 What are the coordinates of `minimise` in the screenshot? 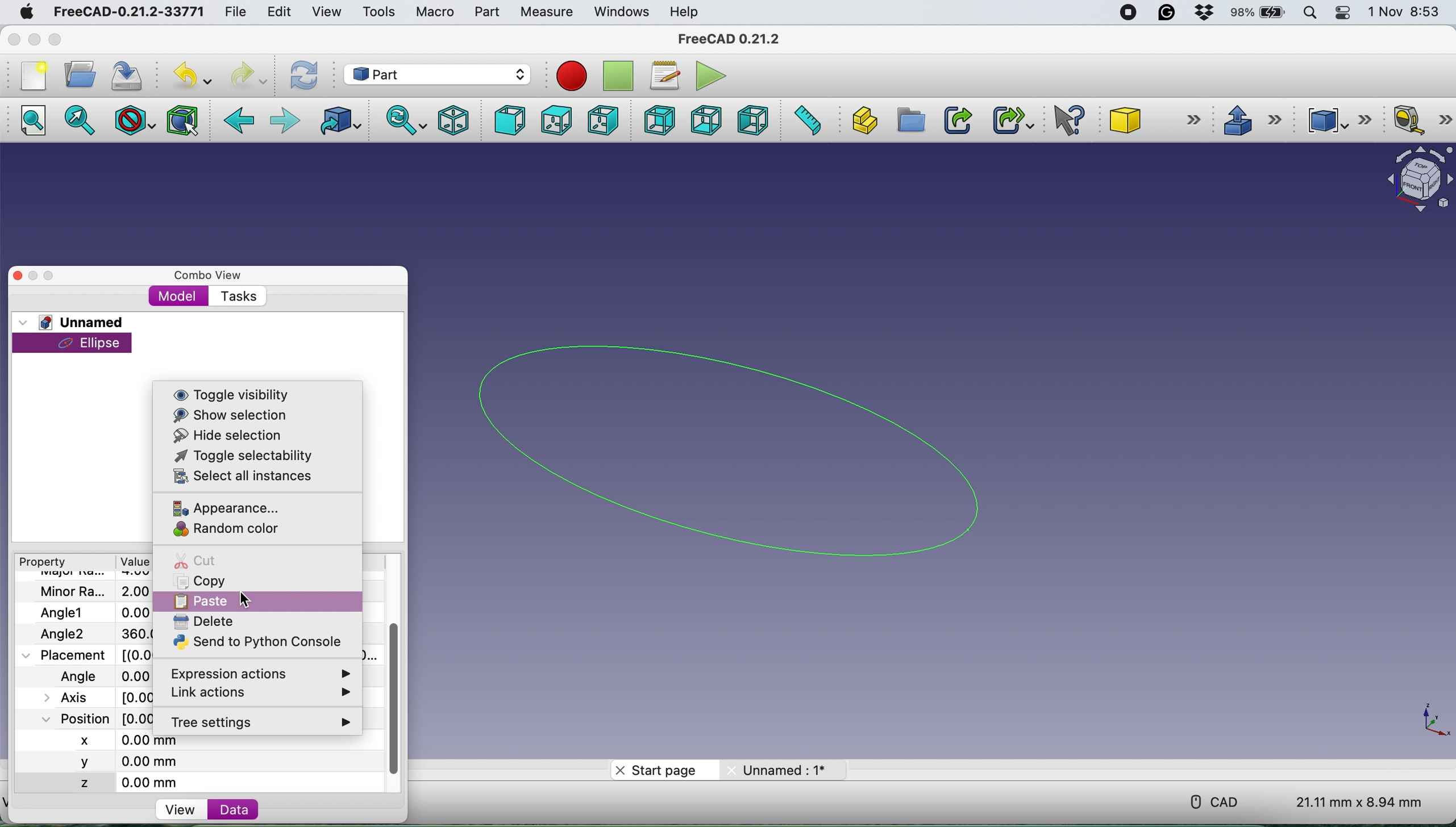 It's located at (32, 40).